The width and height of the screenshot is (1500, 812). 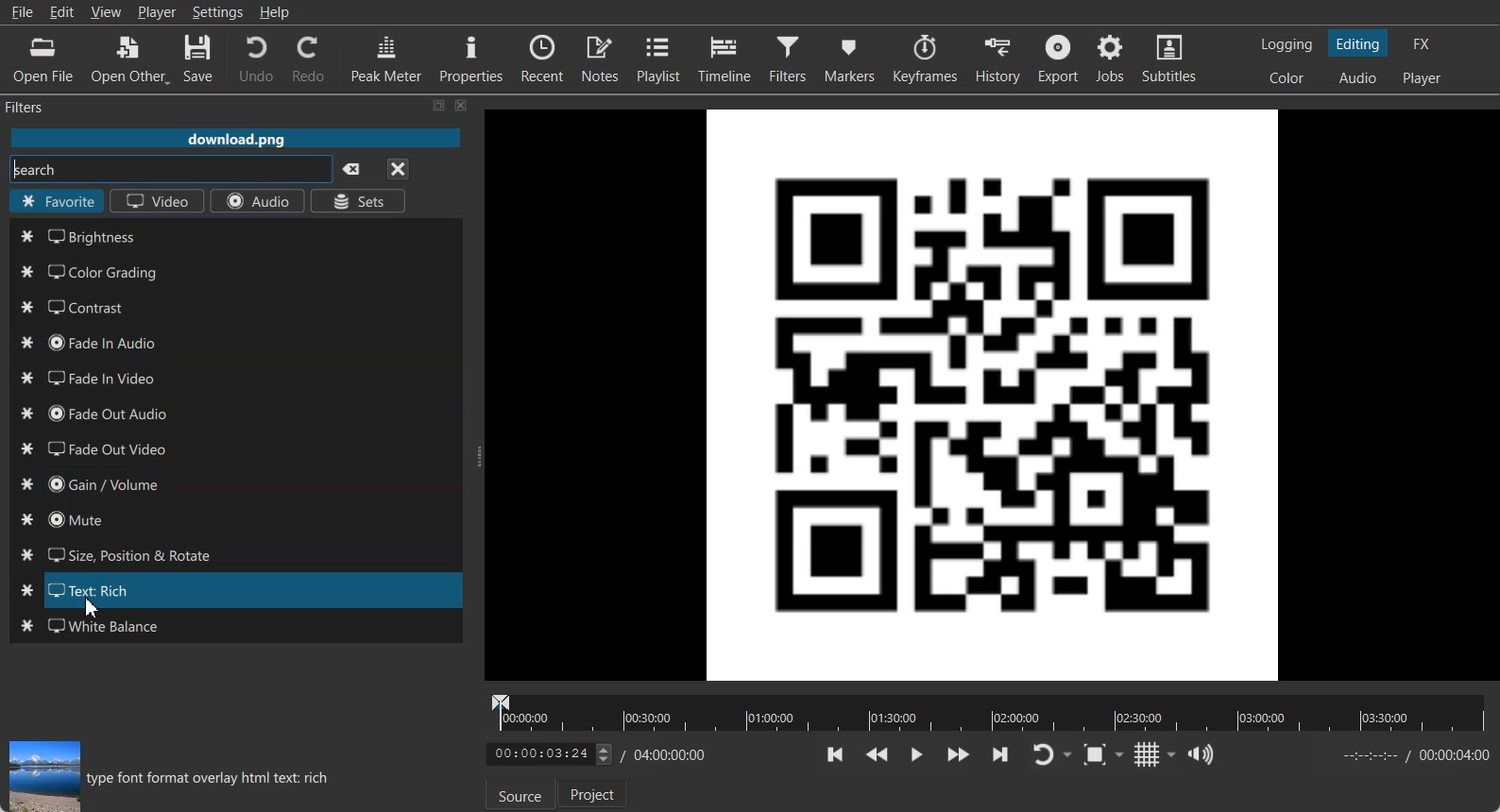 What do you see at coordinates (1202, 755) in the screenshot?
I see `Show the volume control` at bounding box center [1202, 755].